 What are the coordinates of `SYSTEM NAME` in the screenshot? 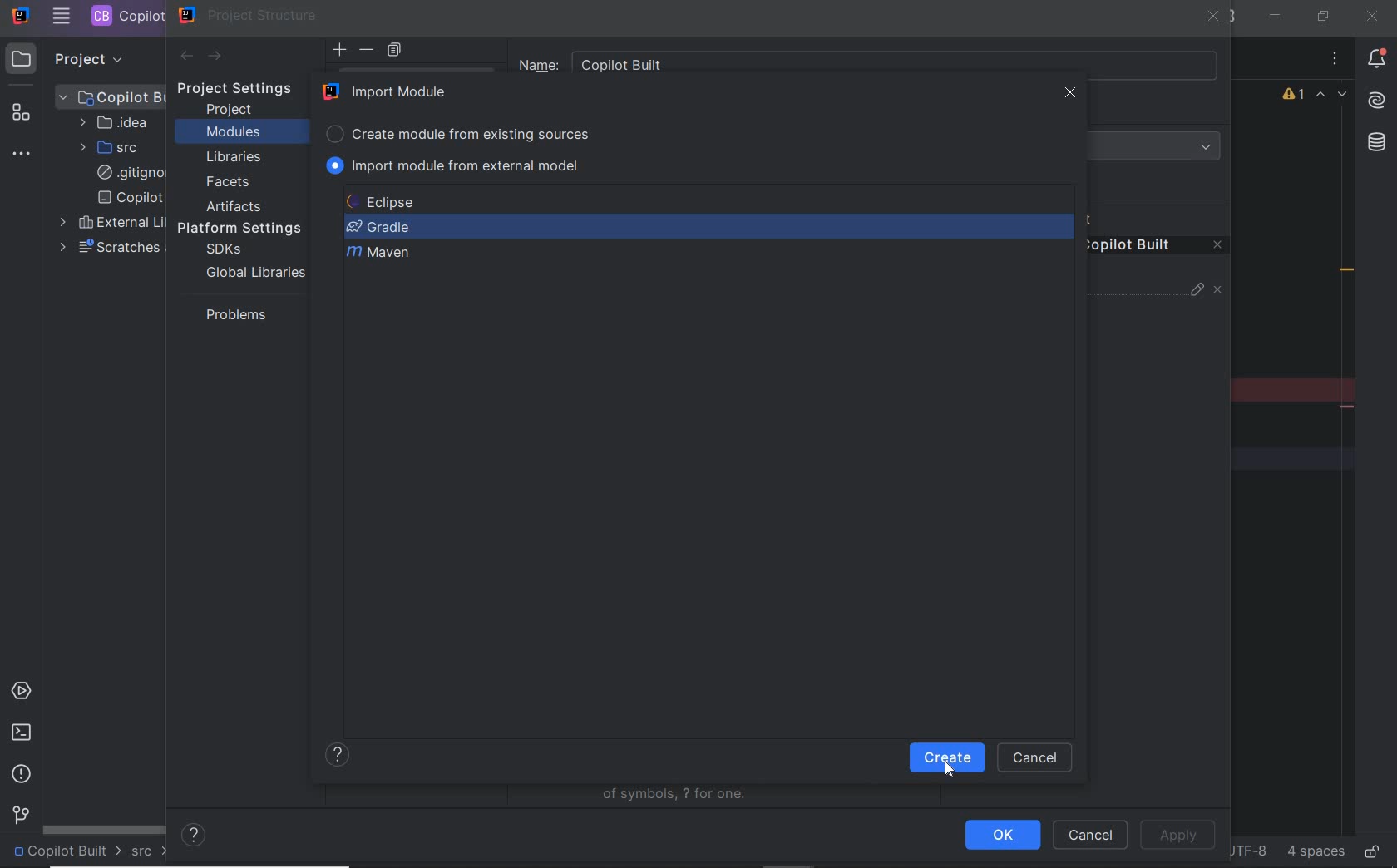 It's located at (19, 17).